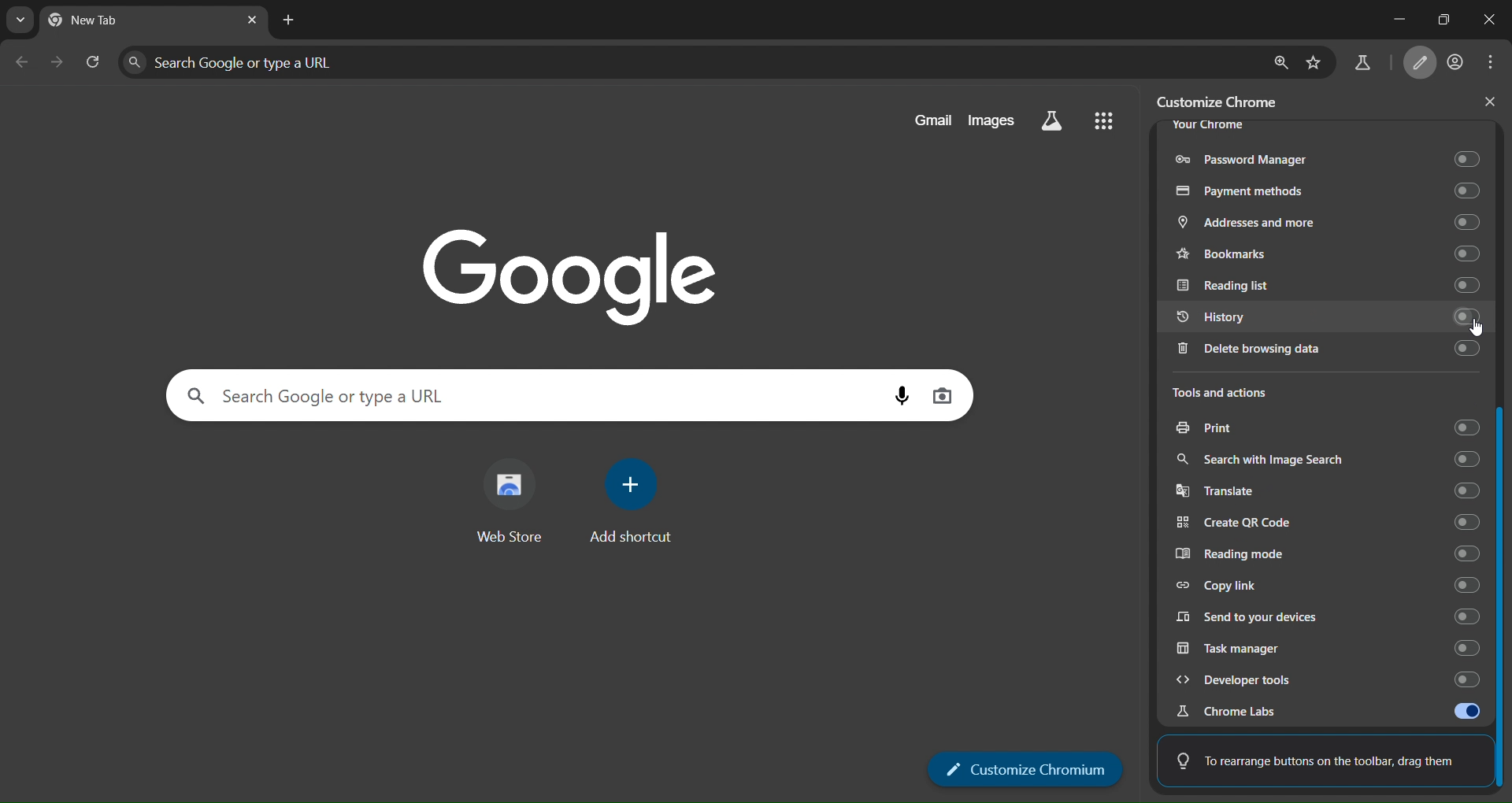 The width and height of the screenshot is (1512, 803). Describe the element at coordinates (1225, 101) in the screenshot. I see `customize chromium` at that location.